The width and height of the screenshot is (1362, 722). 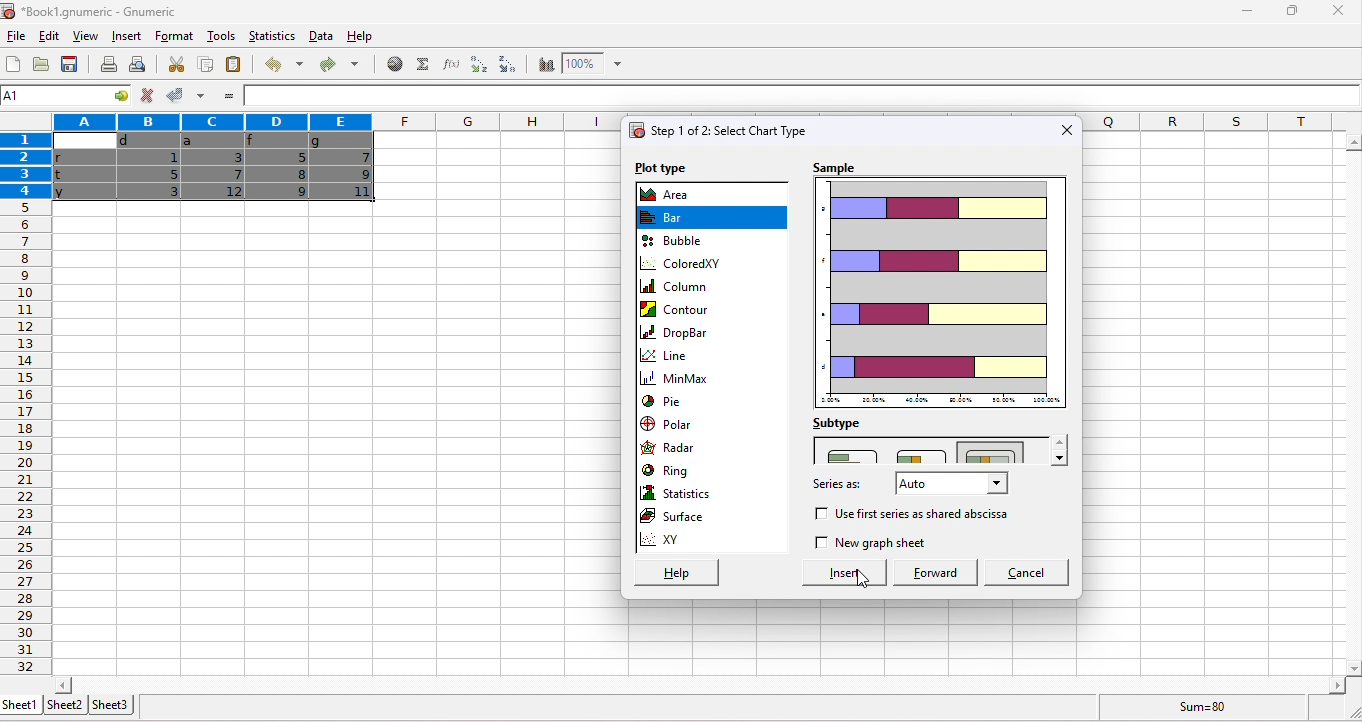 I want to click on vertical slider, so click(x=1353, y=403).